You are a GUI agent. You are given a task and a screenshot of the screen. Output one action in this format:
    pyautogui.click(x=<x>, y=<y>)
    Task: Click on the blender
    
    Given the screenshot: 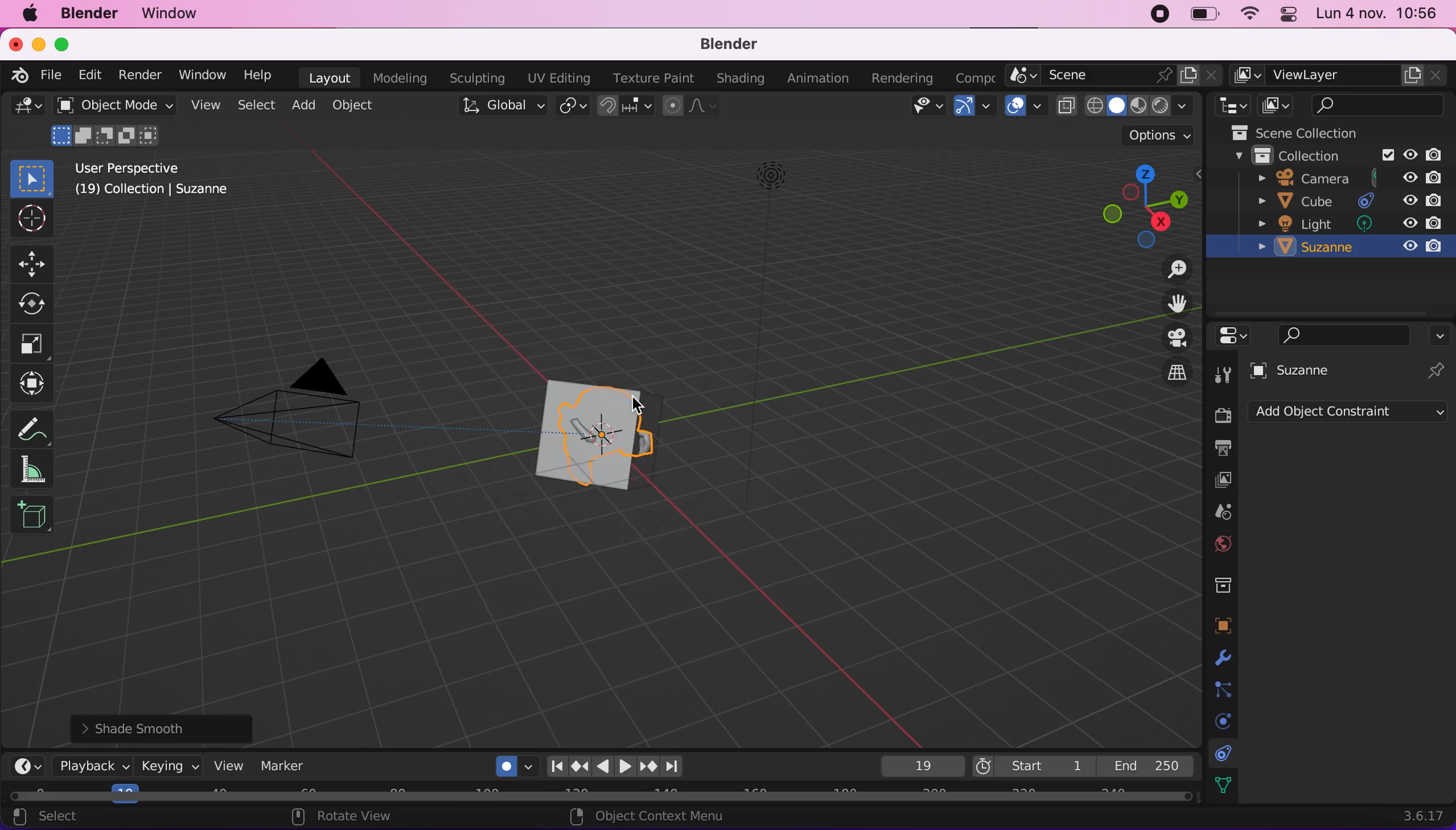 What is the action you would take?
    pyautogui.click(x=730, y=46)
    